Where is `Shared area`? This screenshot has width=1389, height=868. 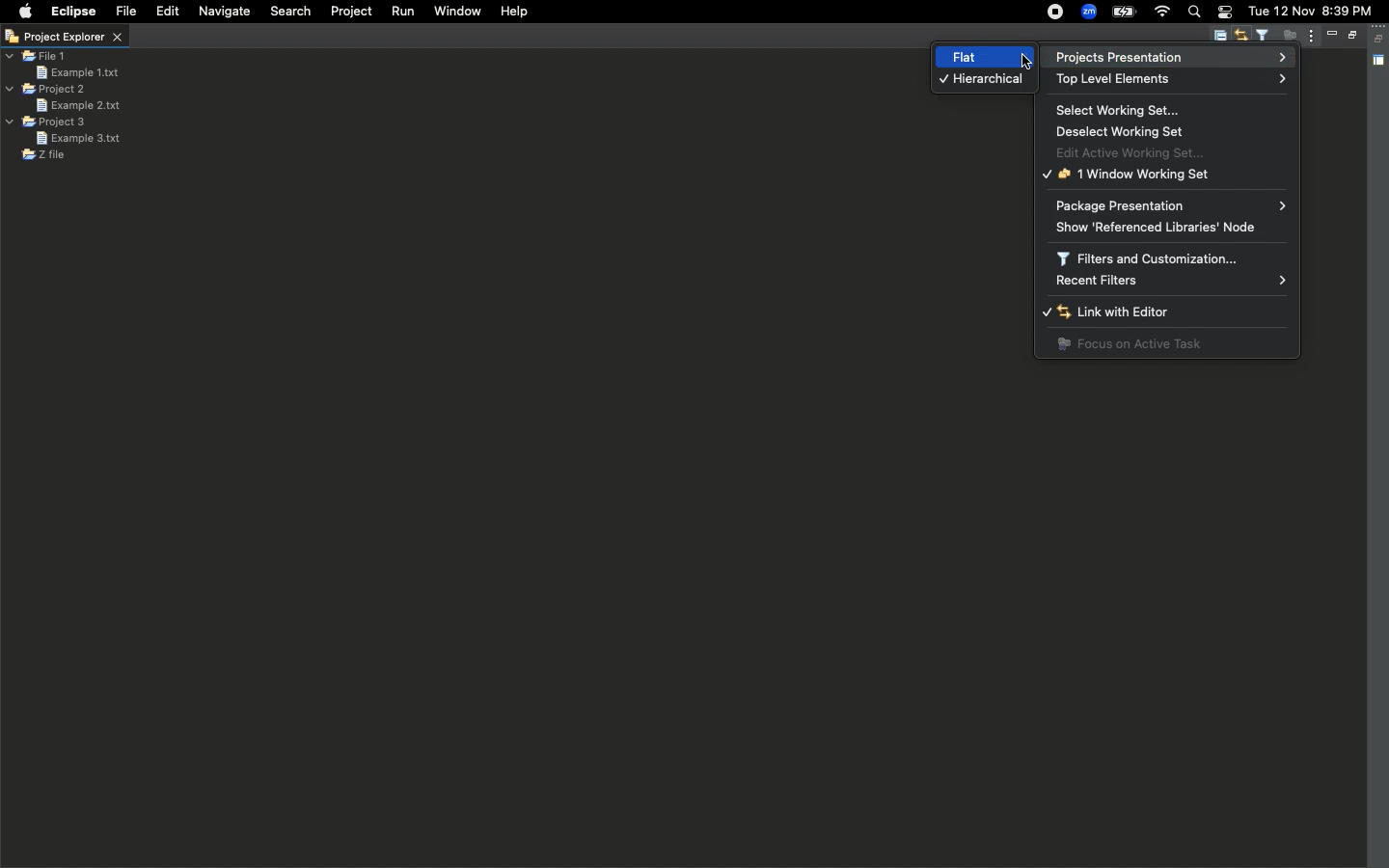 Shared area is located at coordinates (1380, 62).